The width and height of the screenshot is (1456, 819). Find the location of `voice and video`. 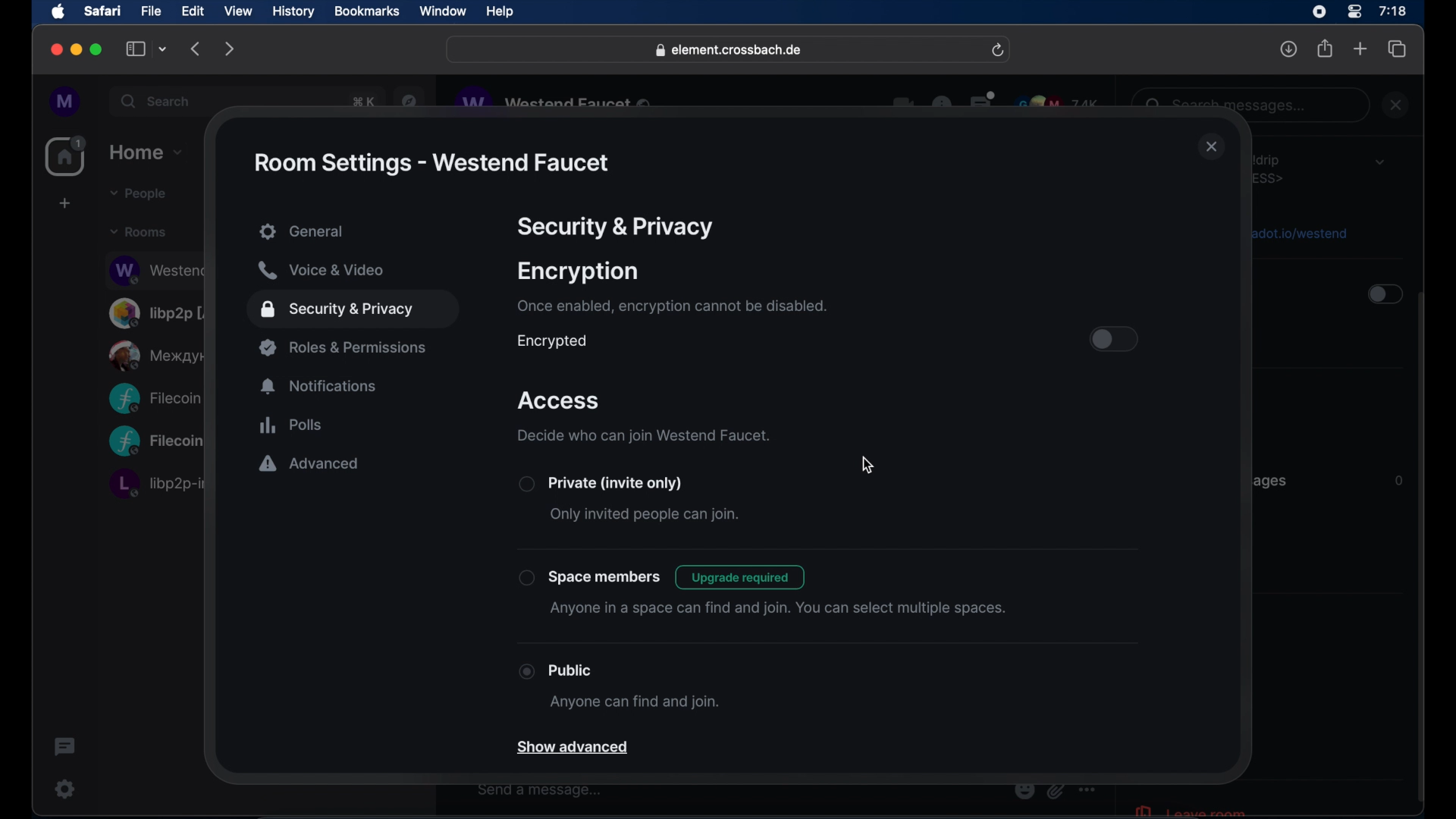

voice and video is located at coordinates (321, 271).